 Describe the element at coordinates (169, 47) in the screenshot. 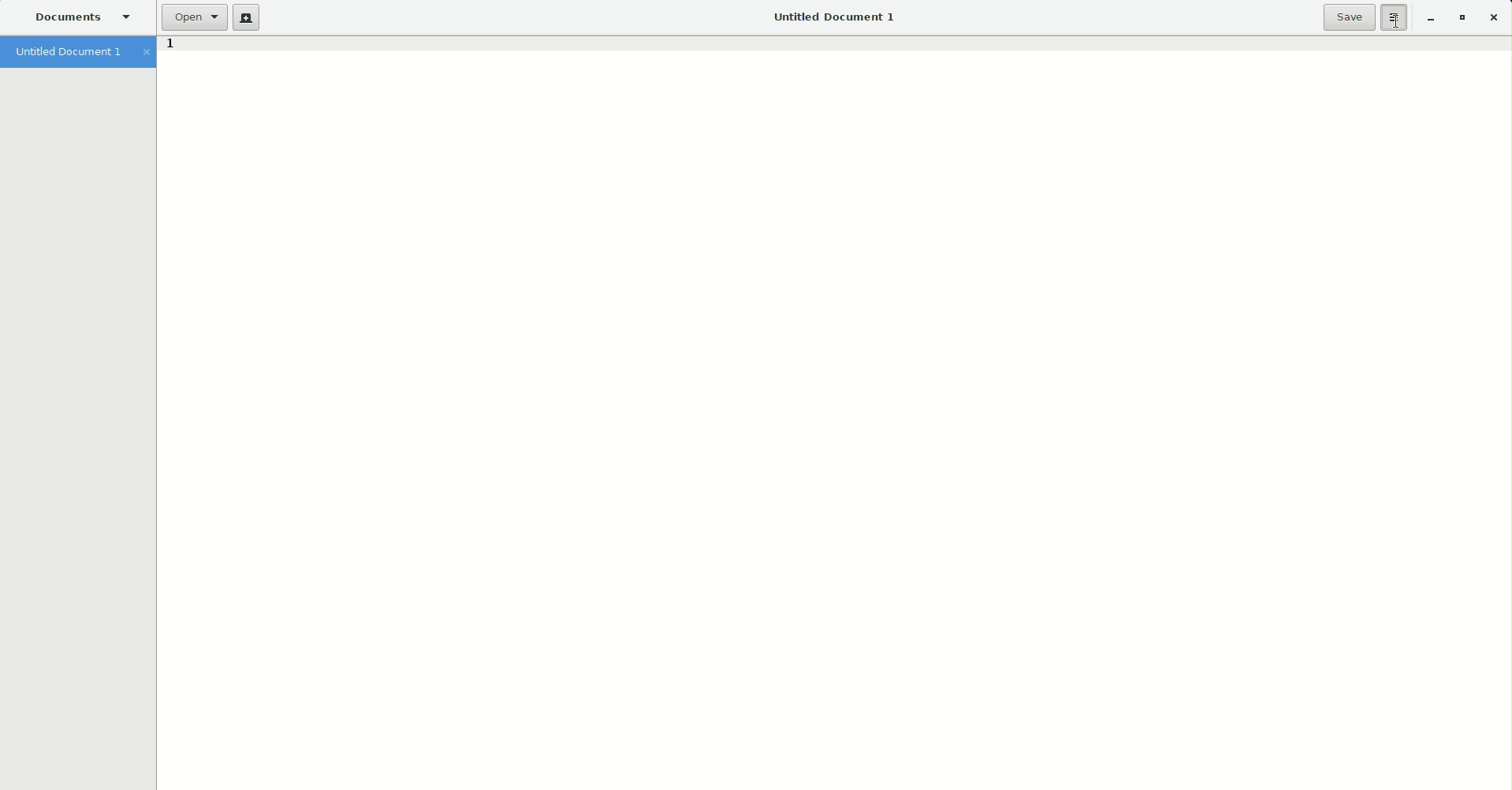

I see `1` at that location.